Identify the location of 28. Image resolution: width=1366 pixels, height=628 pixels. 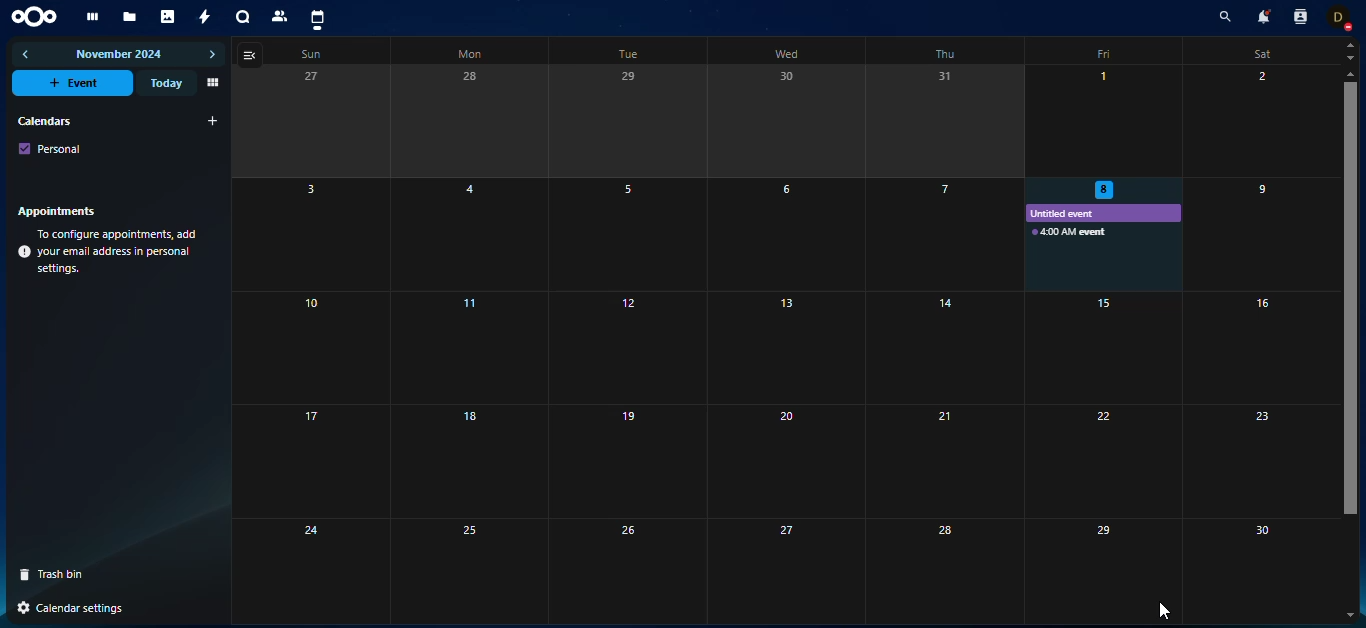
(936, 571).